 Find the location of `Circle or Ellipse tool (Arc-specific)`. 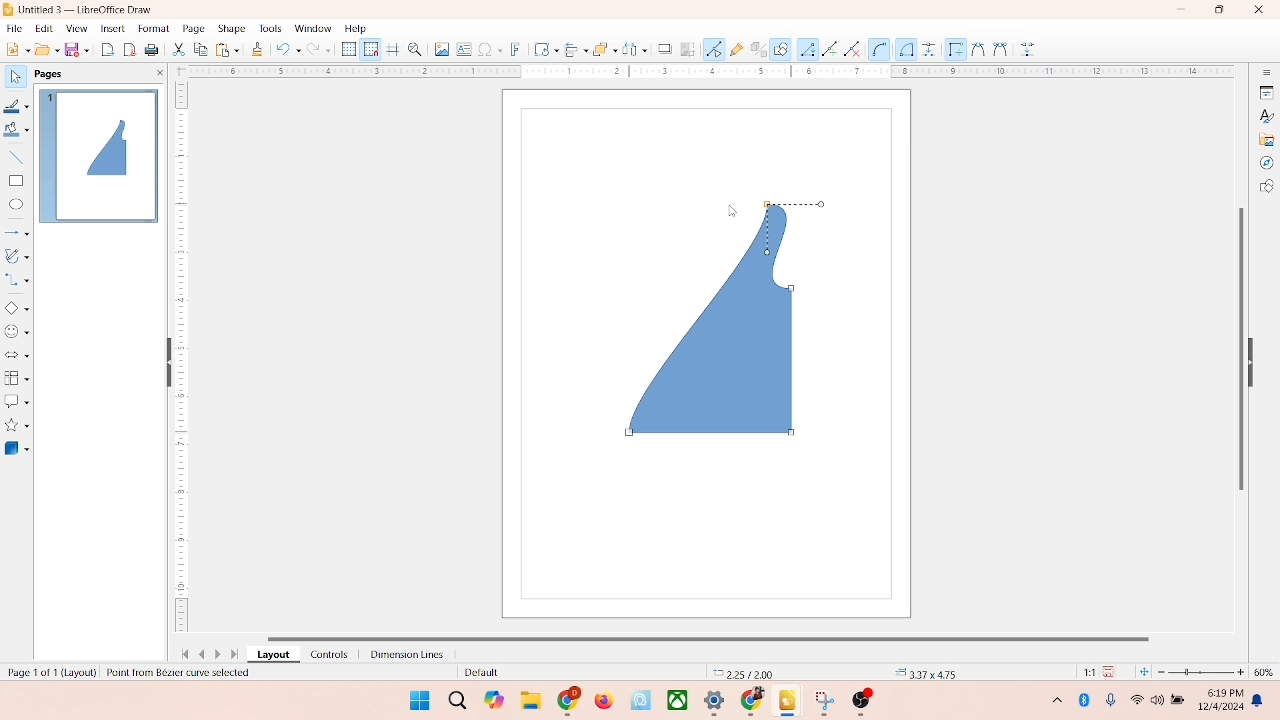

Circle or Ellipse tool (Arc-specific) is located at coordinates (880, 50).